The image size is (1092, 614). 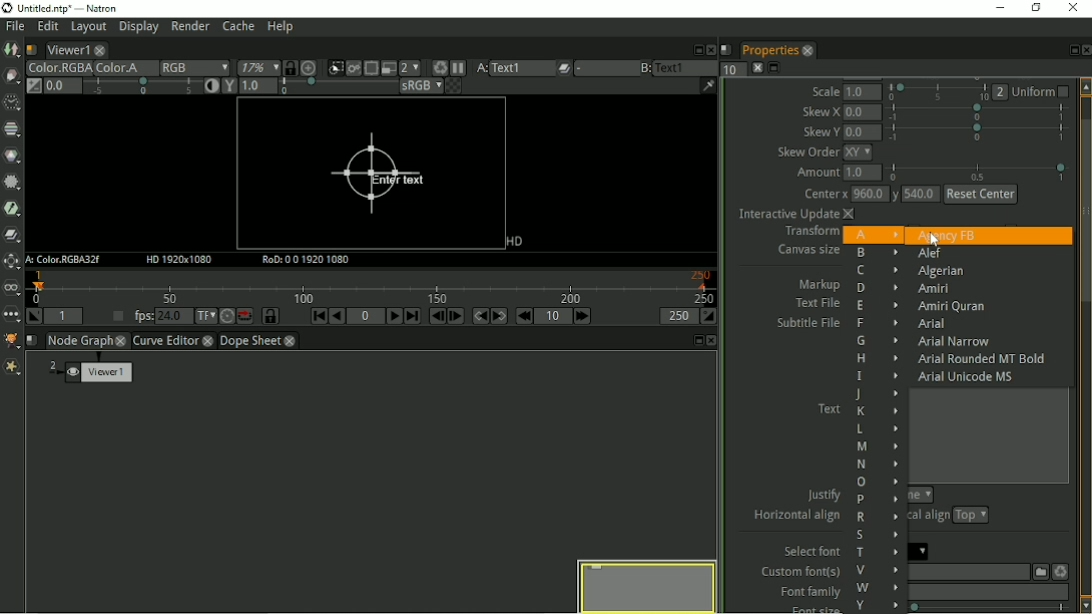 I want to click on close, so click(x=101, y=50).